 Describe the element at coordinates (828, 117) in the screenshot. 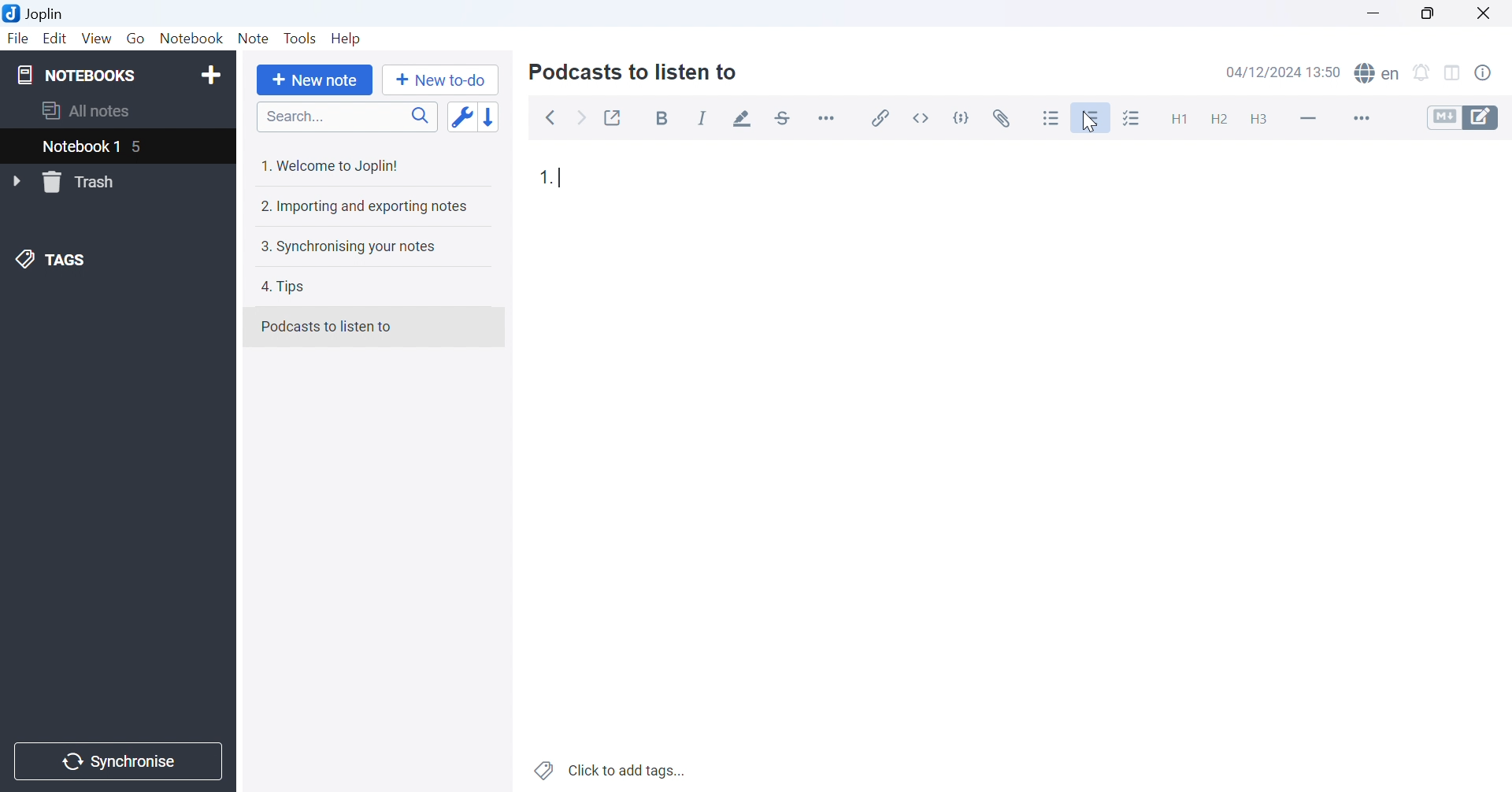

I see `Horizontal` at that location.